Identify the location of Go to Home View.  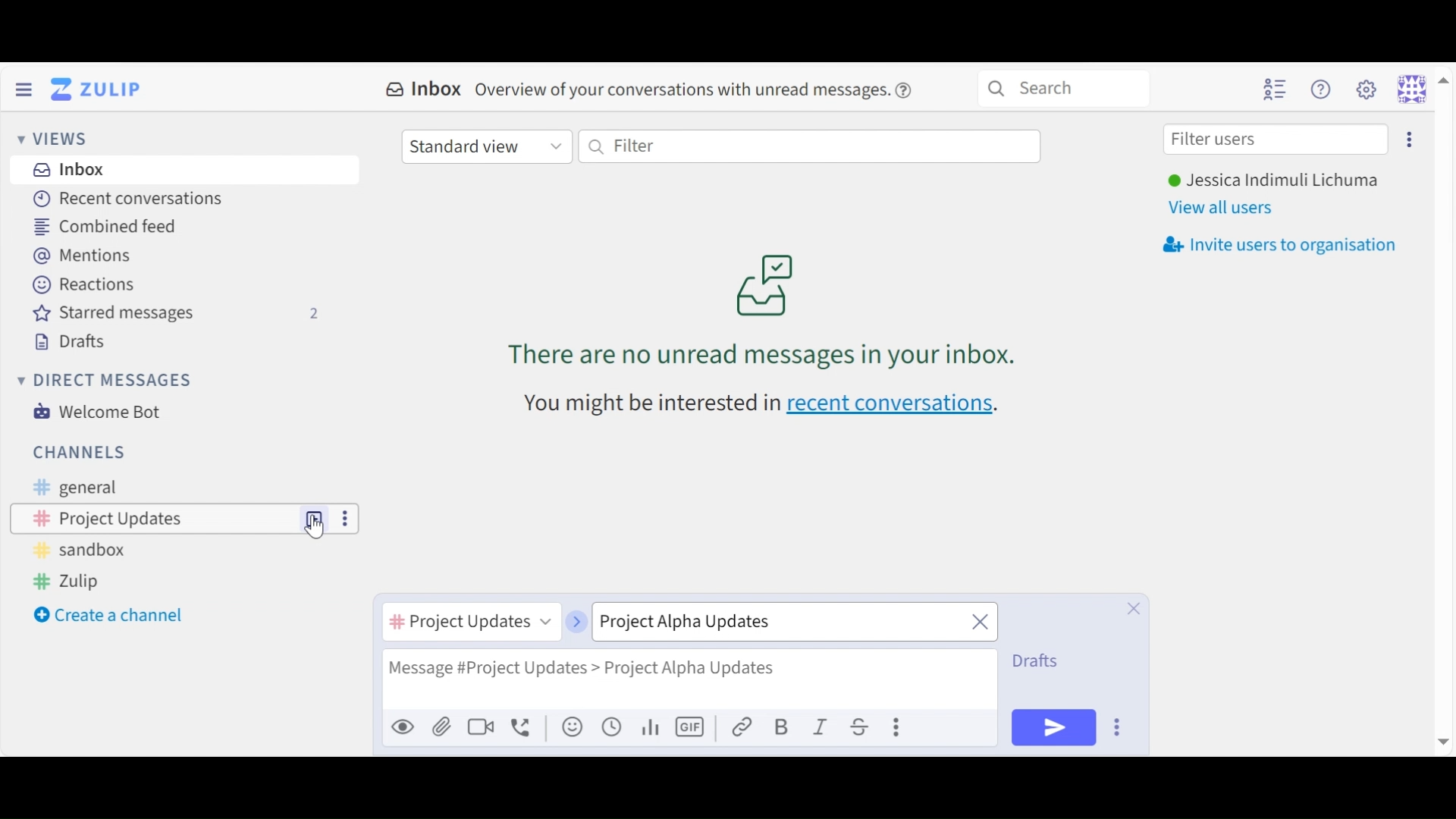
(99, 89).